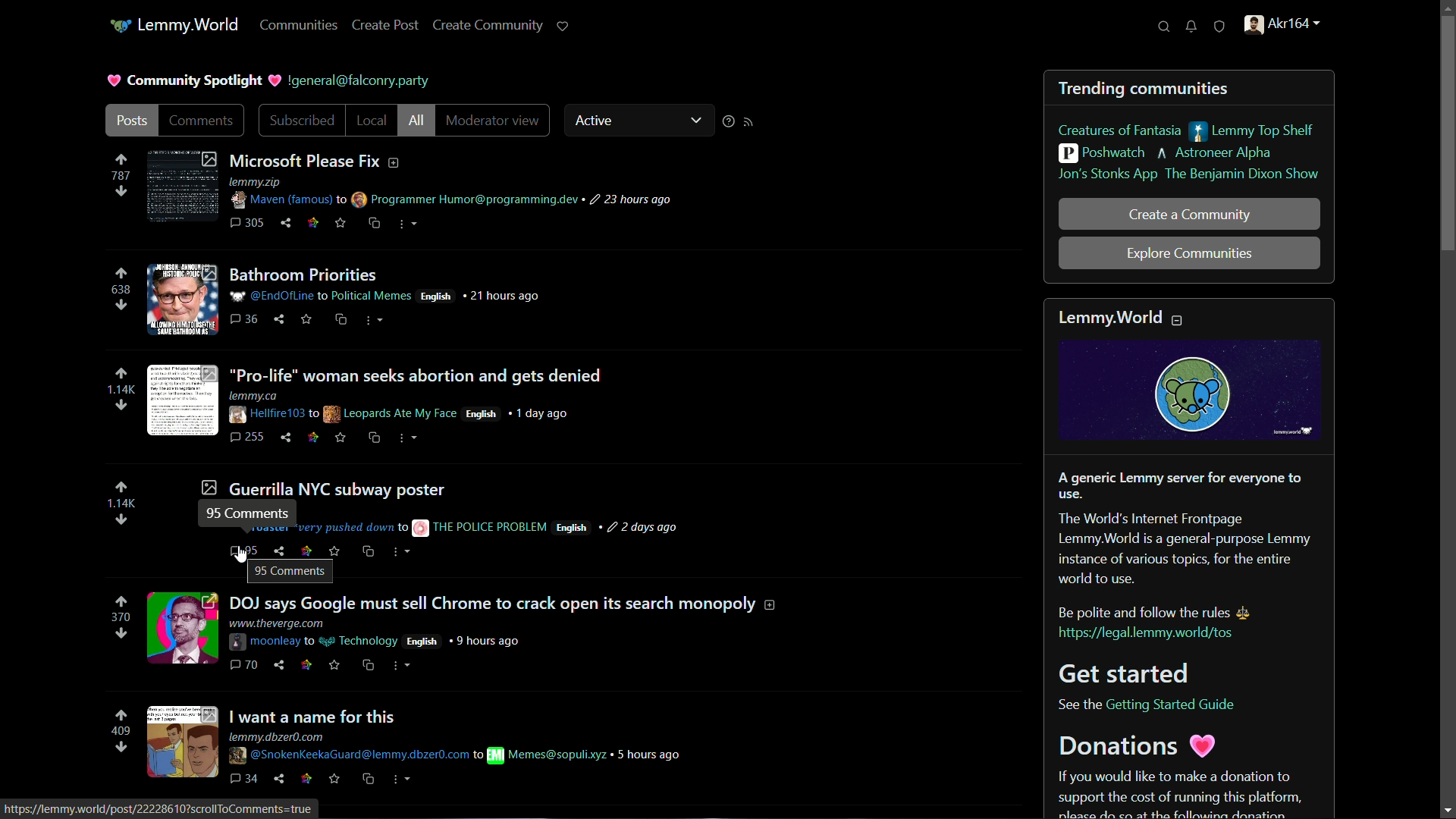  Describe the element at coordinates (418, 527) in the screenshot. I see `icon` at that location.